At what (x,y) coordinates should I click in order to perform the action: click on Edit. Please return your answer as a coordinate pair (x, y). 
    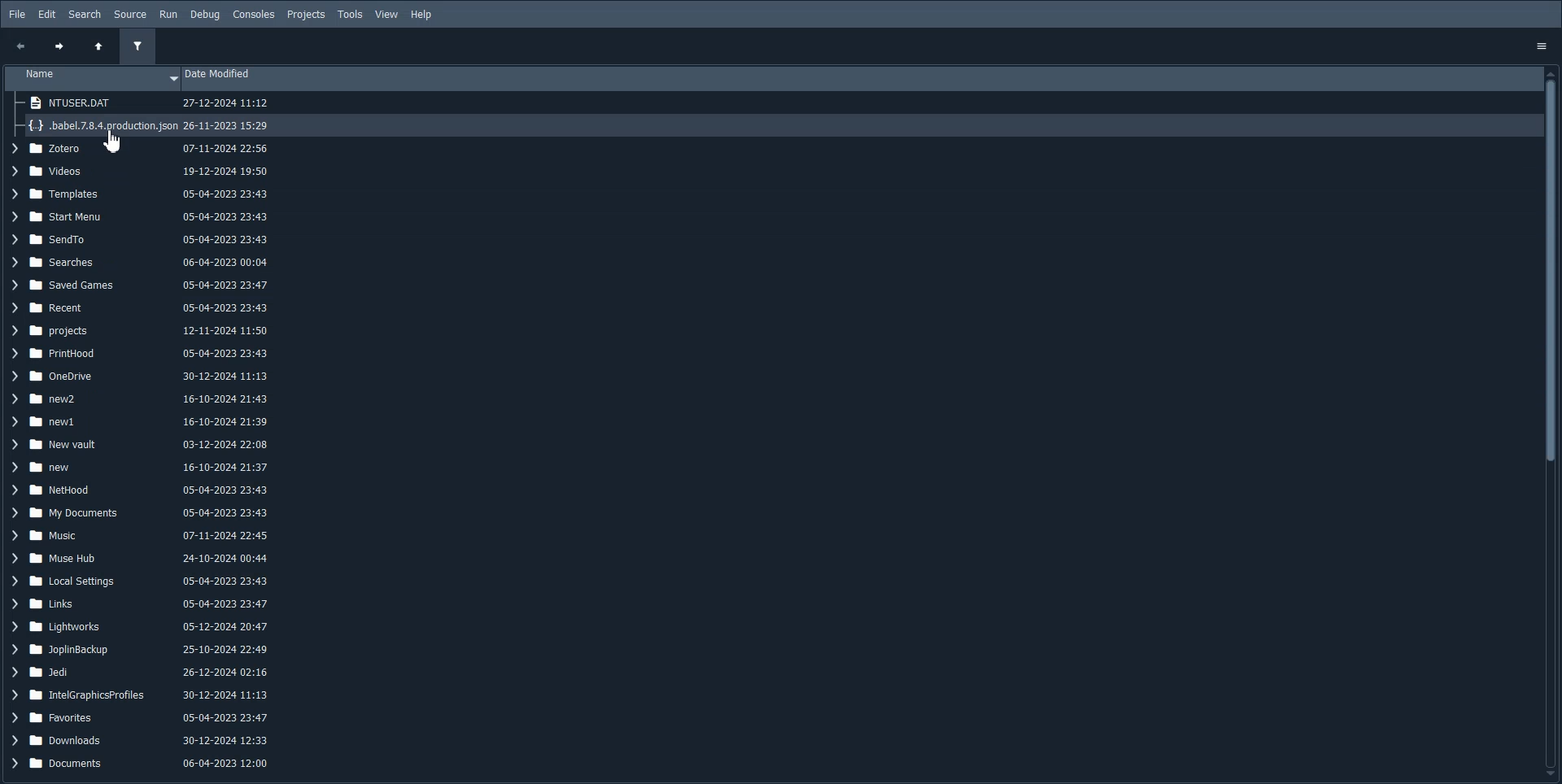
    Looking at the image, I should click on (47, 15).